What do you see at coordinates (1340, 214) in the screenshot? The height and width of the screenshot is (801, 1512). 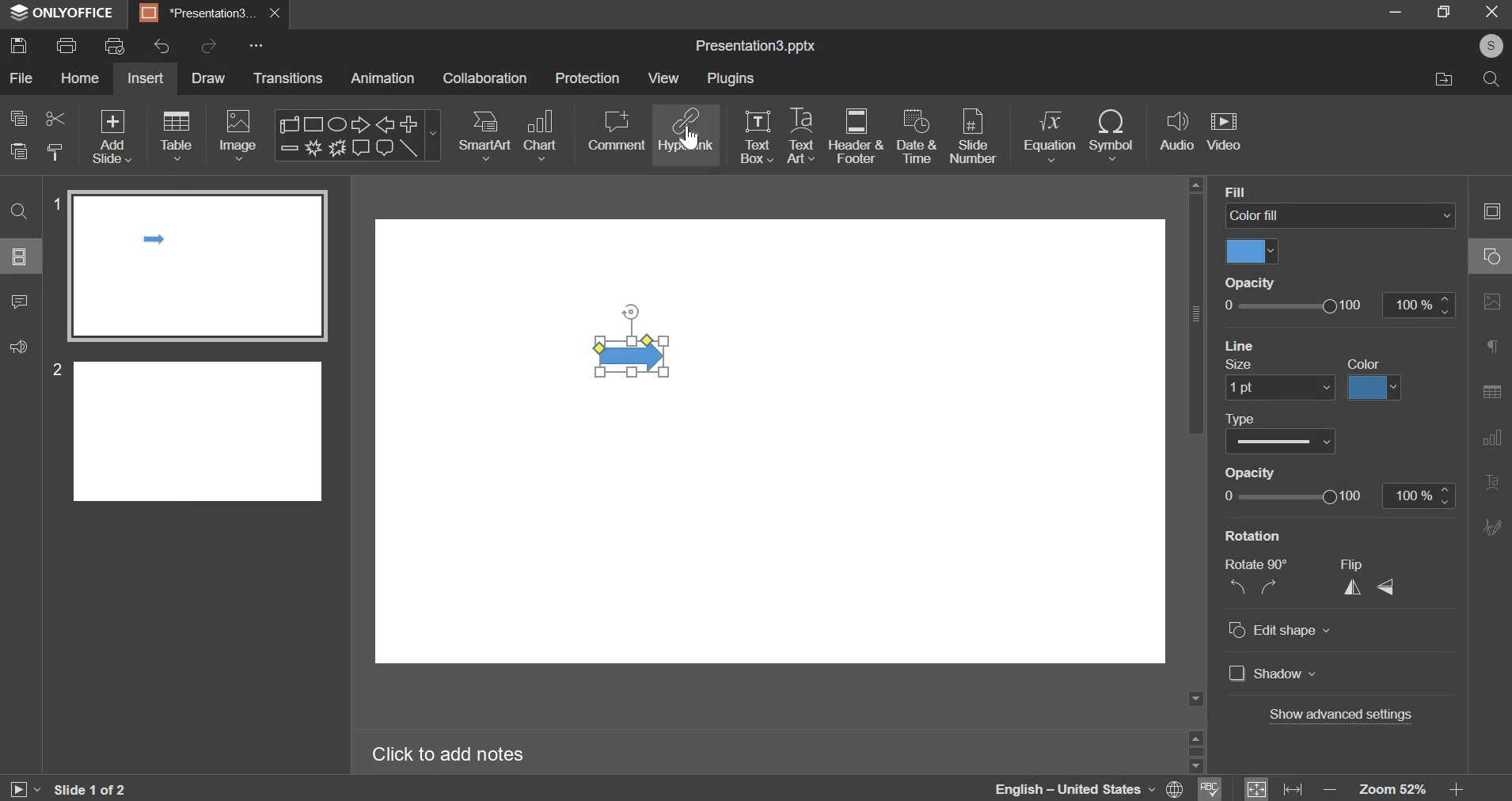 I see `color fill` at bounding box center [1340, 214].